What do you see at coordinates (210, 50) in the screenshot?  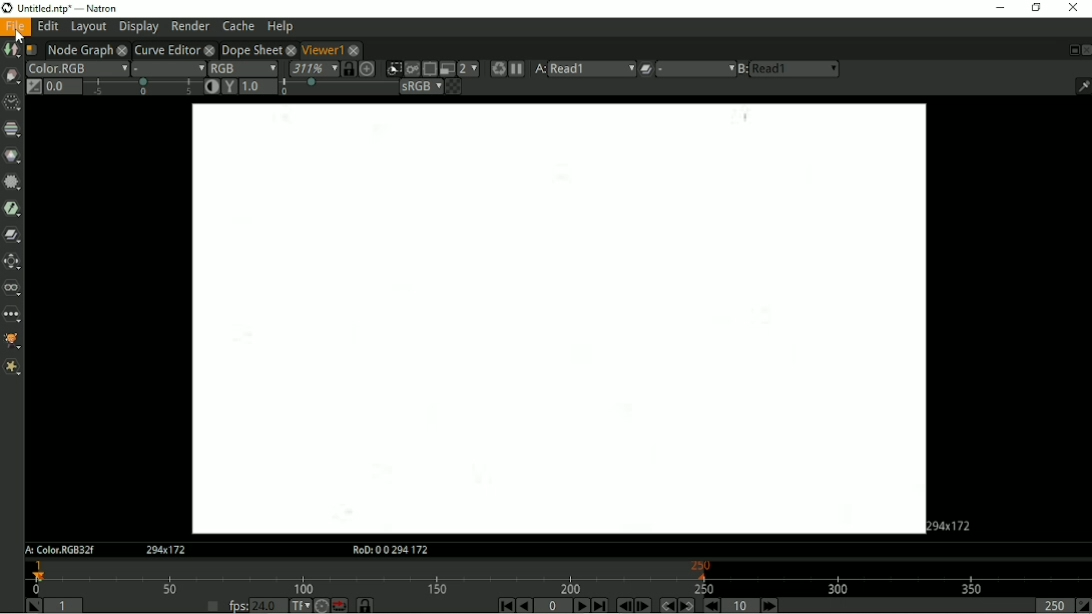 I see `close` at bounding box center [210, 50].